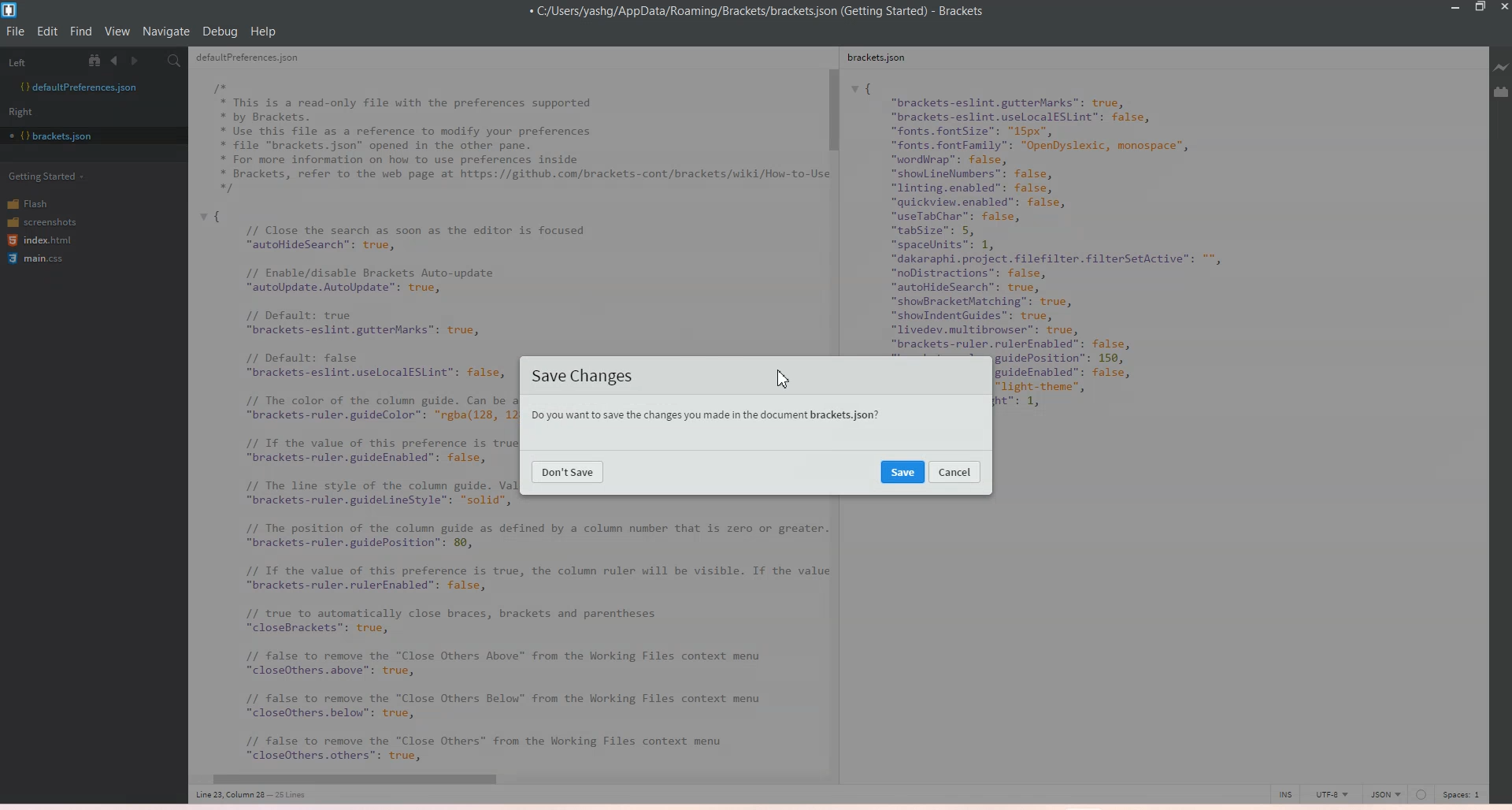 Image resolution: width=1512 pixels, height=810 pixels. Describe the element at coordinates (884, 60) in the screenshot. I see `brackets.json` at that location.